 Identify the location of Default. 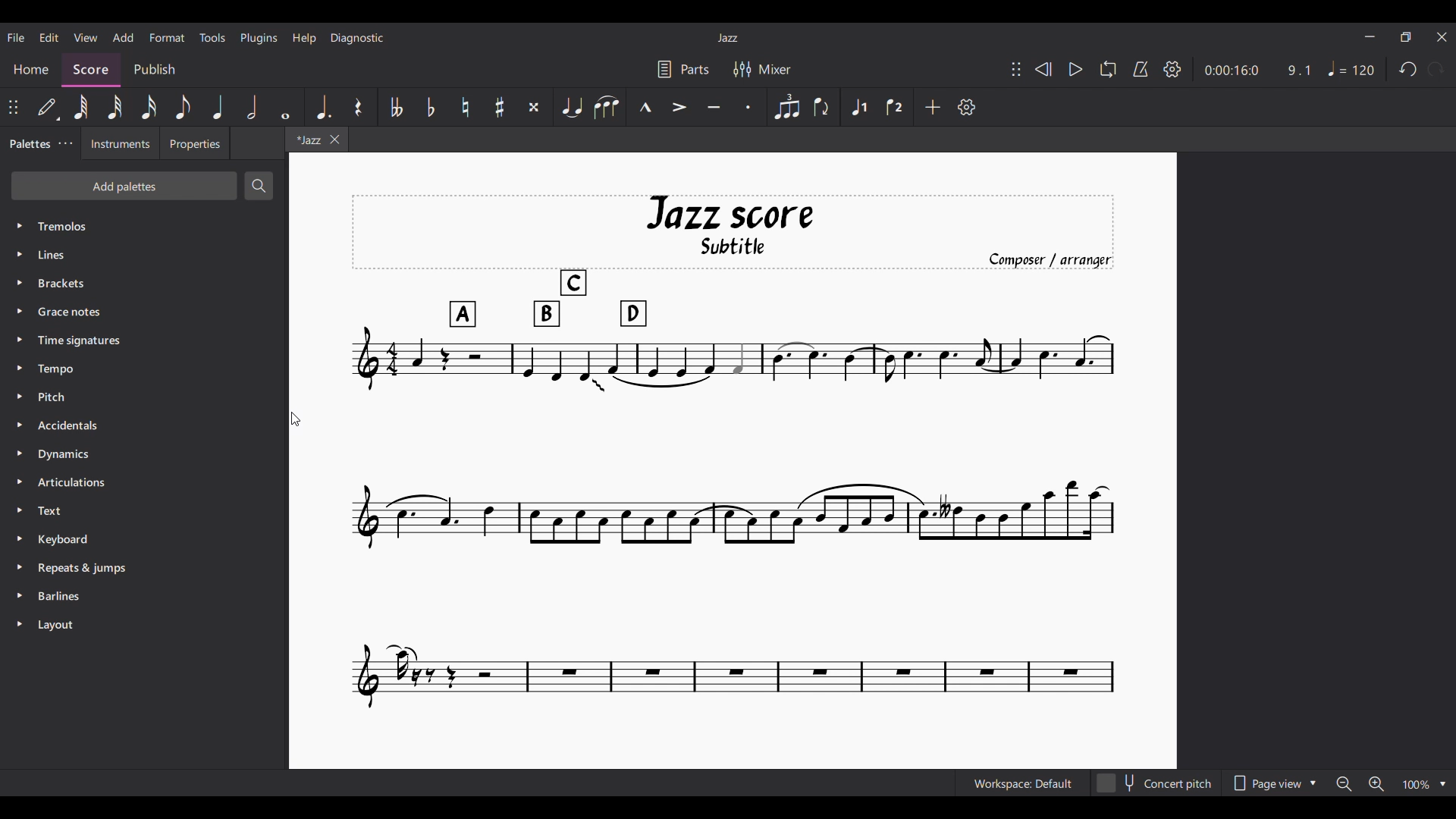
(48, 107).